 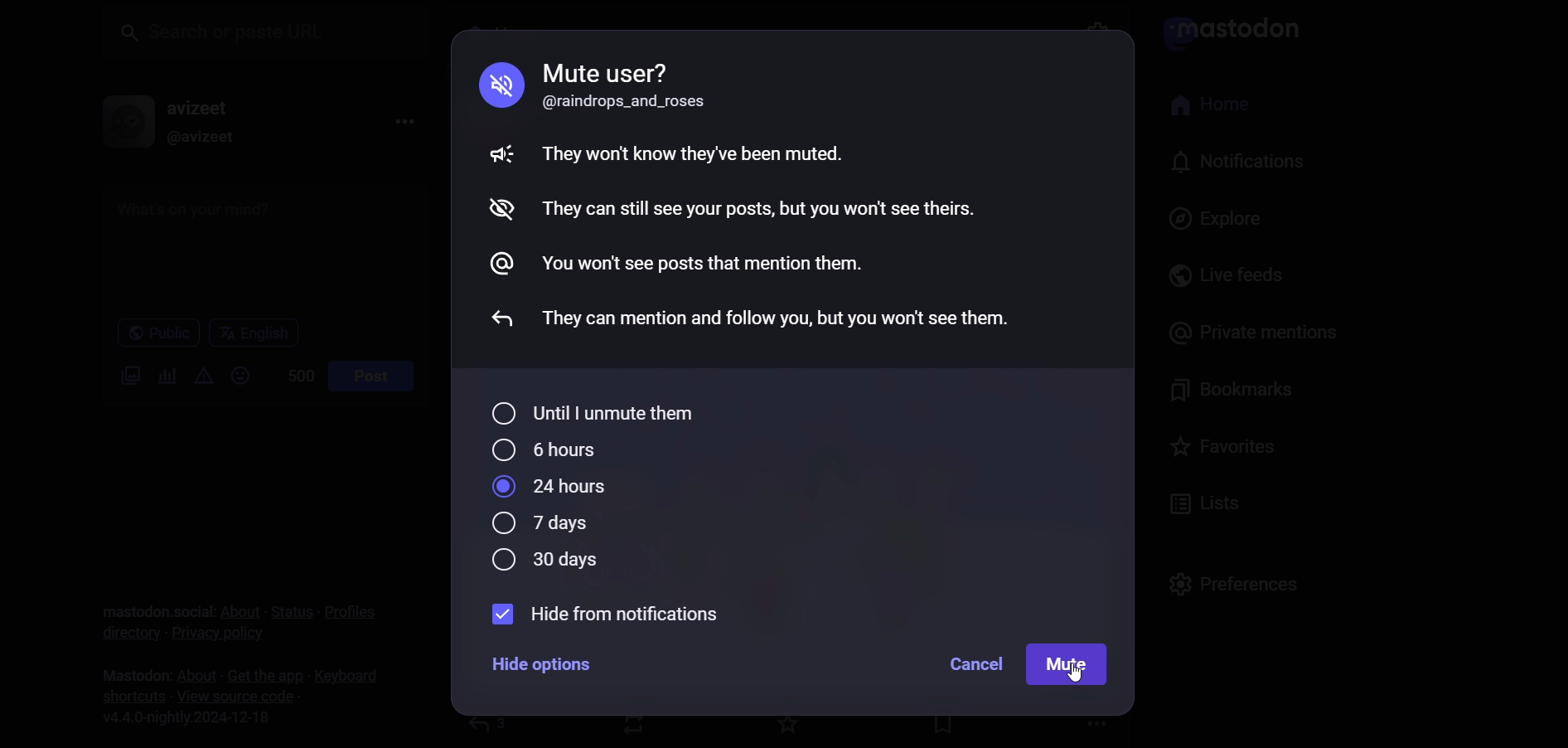 What do you see at coordinates (617, 615) in the screenshot?
I see `hide from notification` at bounding box center [617, 615].